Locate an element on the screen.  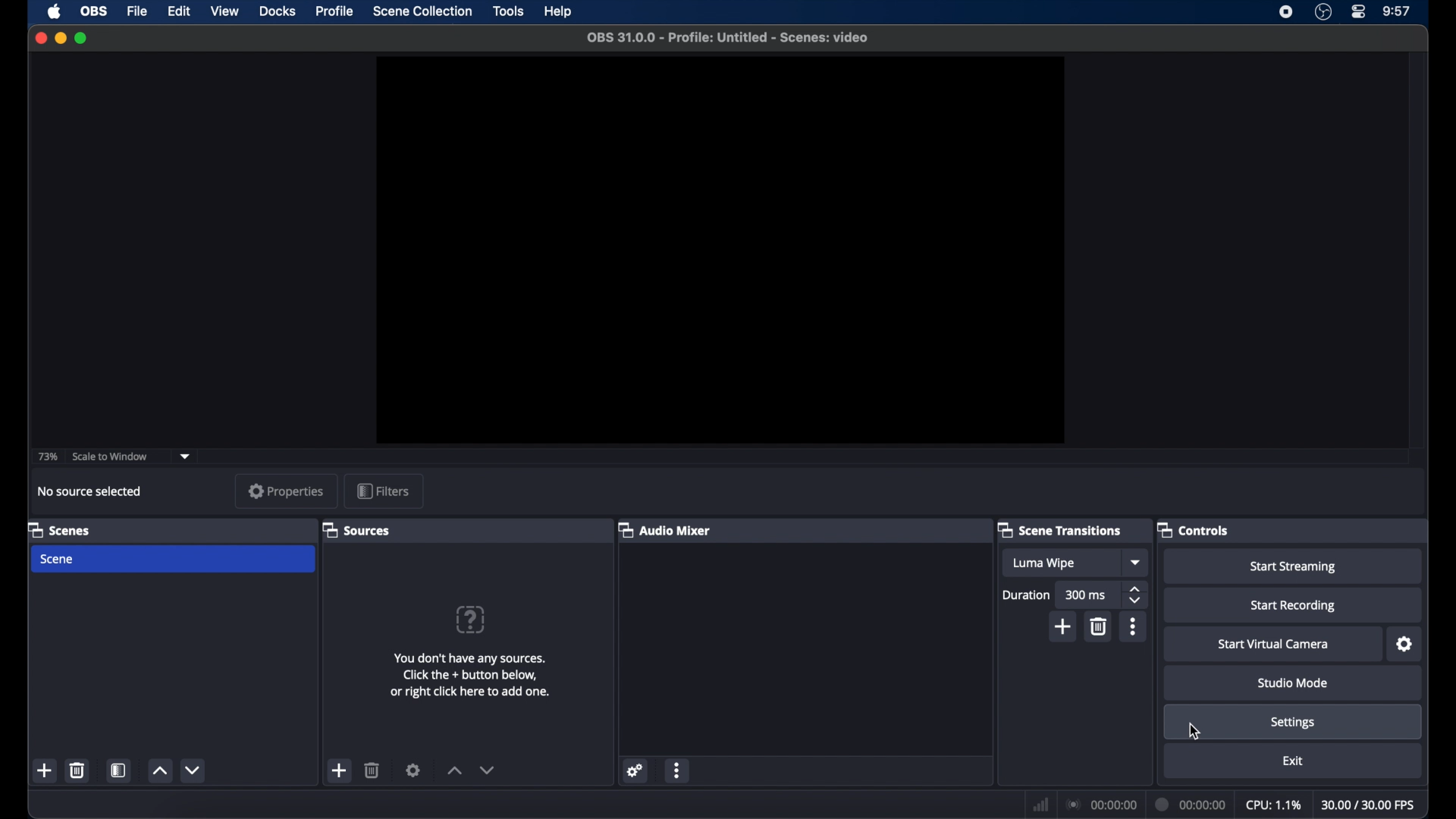
scene collection is located at coordinates (424, 11).